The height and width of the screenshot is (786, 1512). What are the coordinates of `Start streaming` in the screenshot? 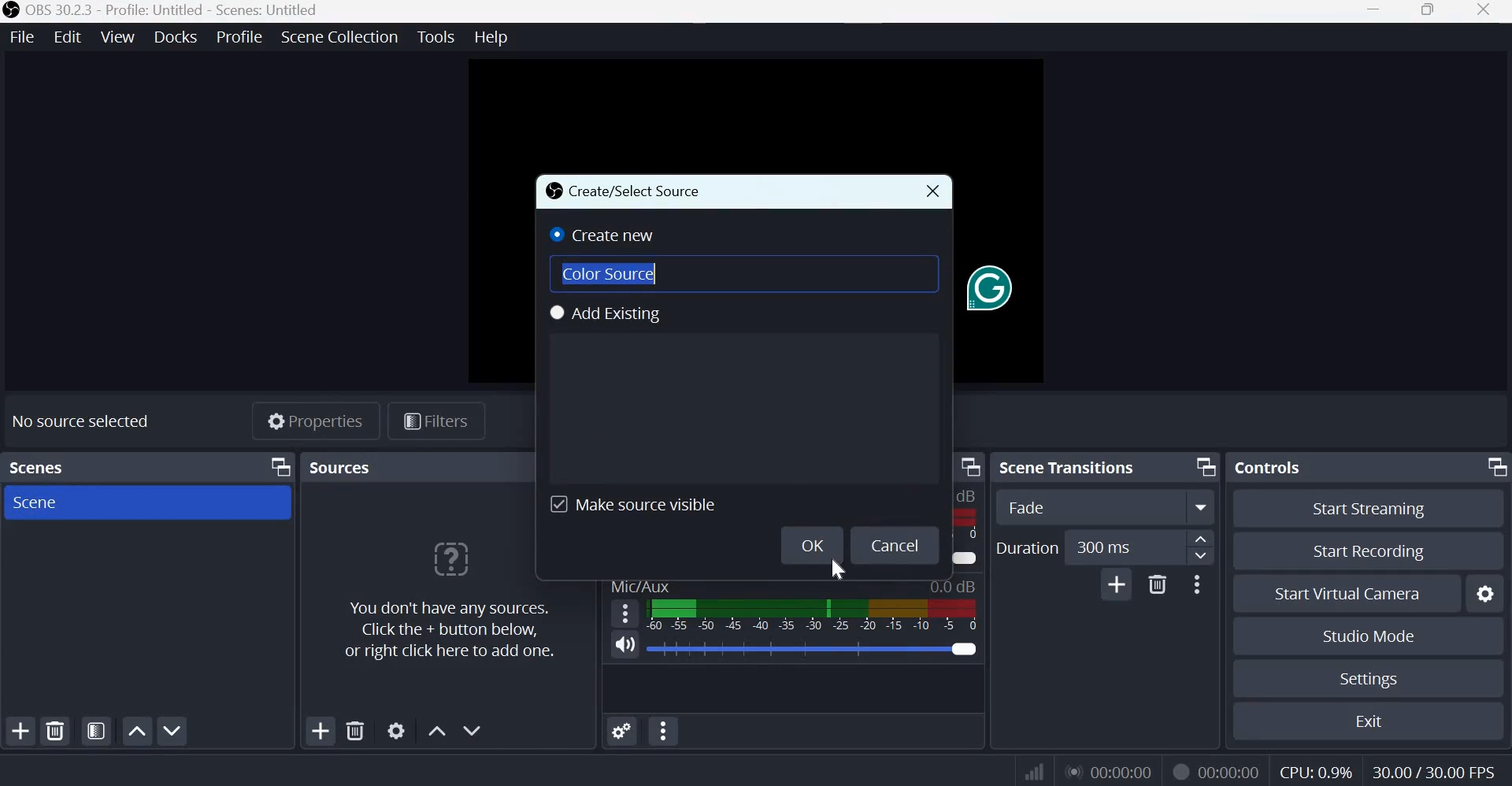 It's located at (1376, 508).